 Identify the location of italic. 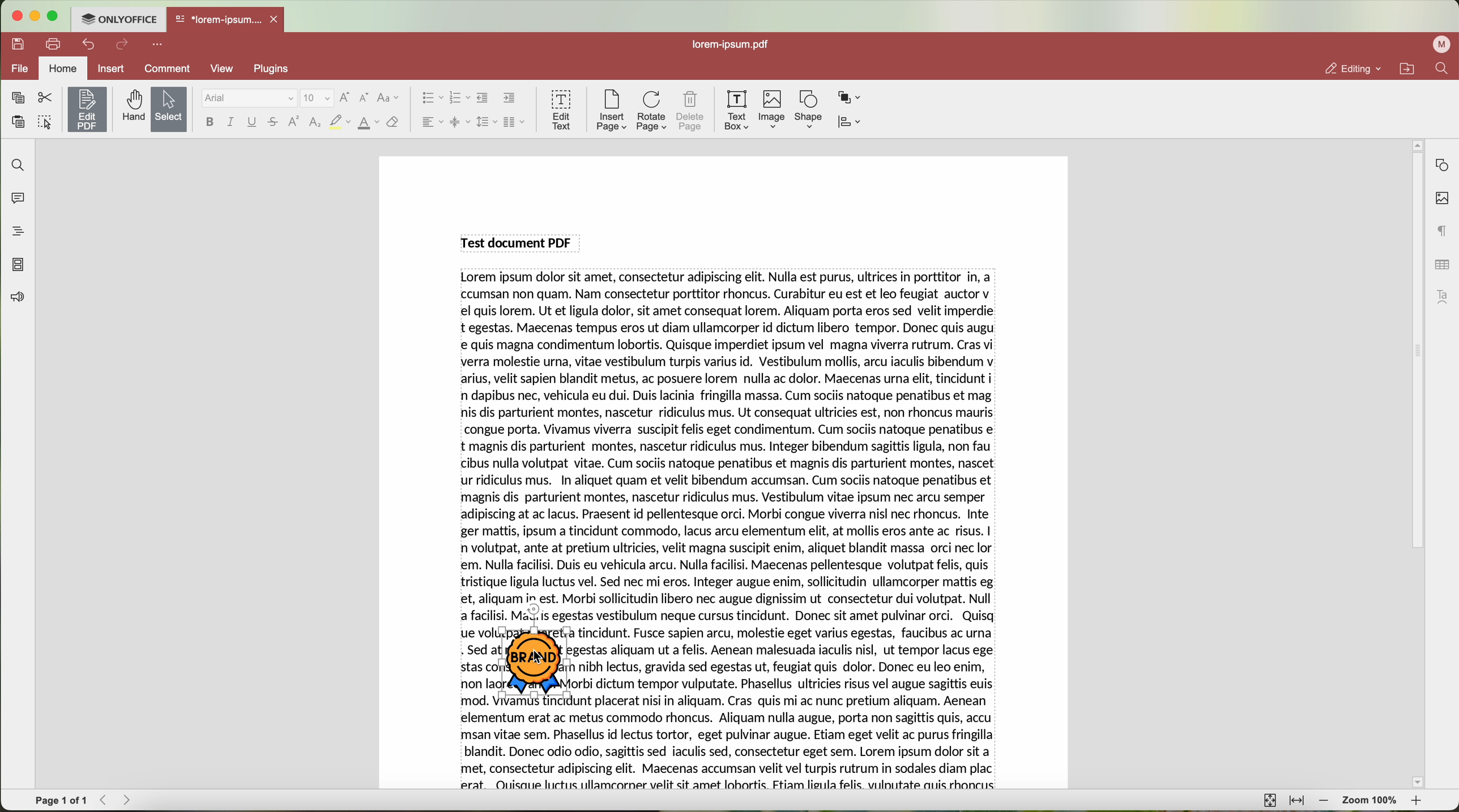
(231, 122).